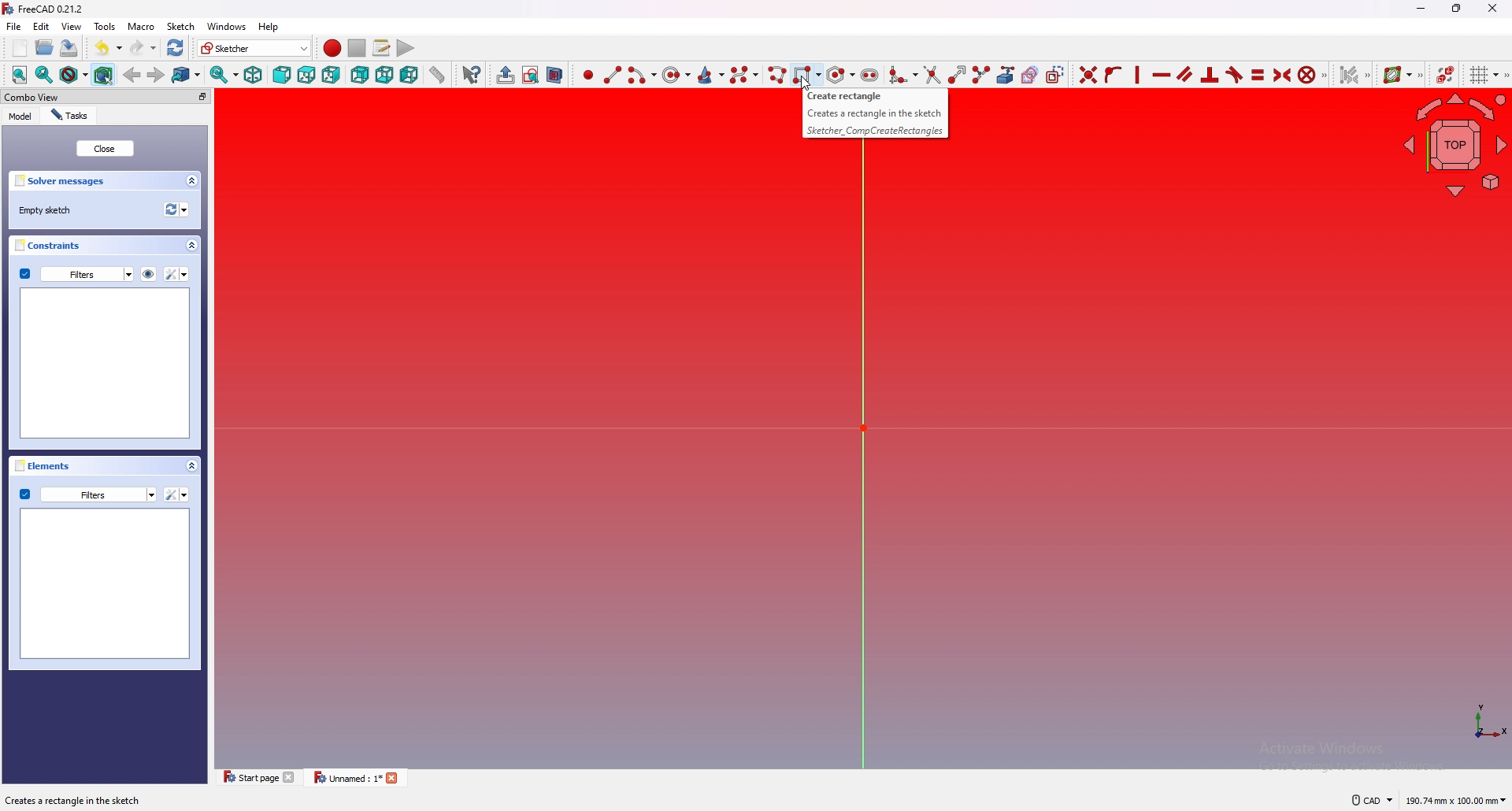  What do you see at coordinates (1162, 75) in the screenshot?
I see `constraint vertically` at bounding box center [1162, 75].